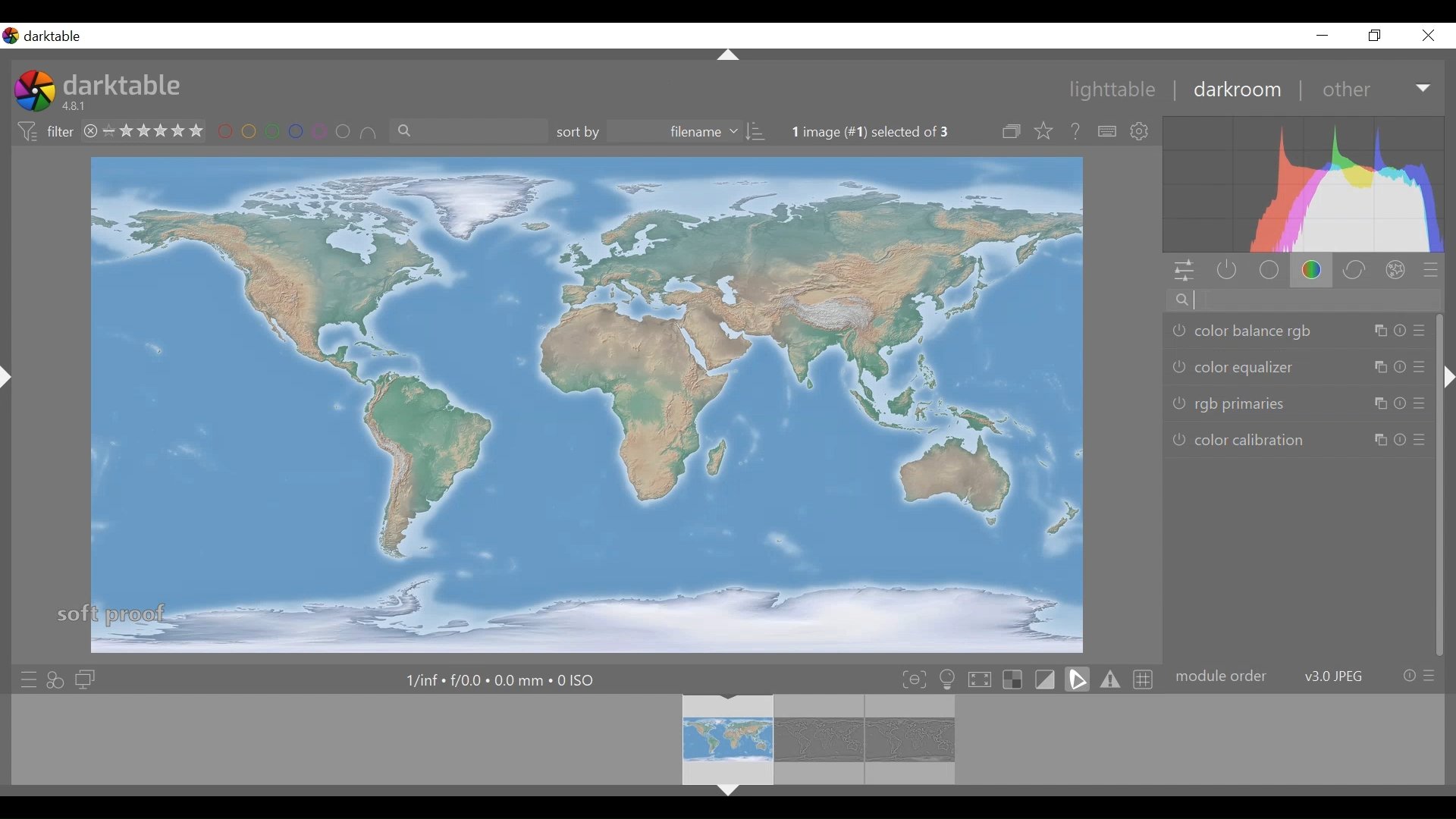  I want to click on effect, so click(1398, 269).